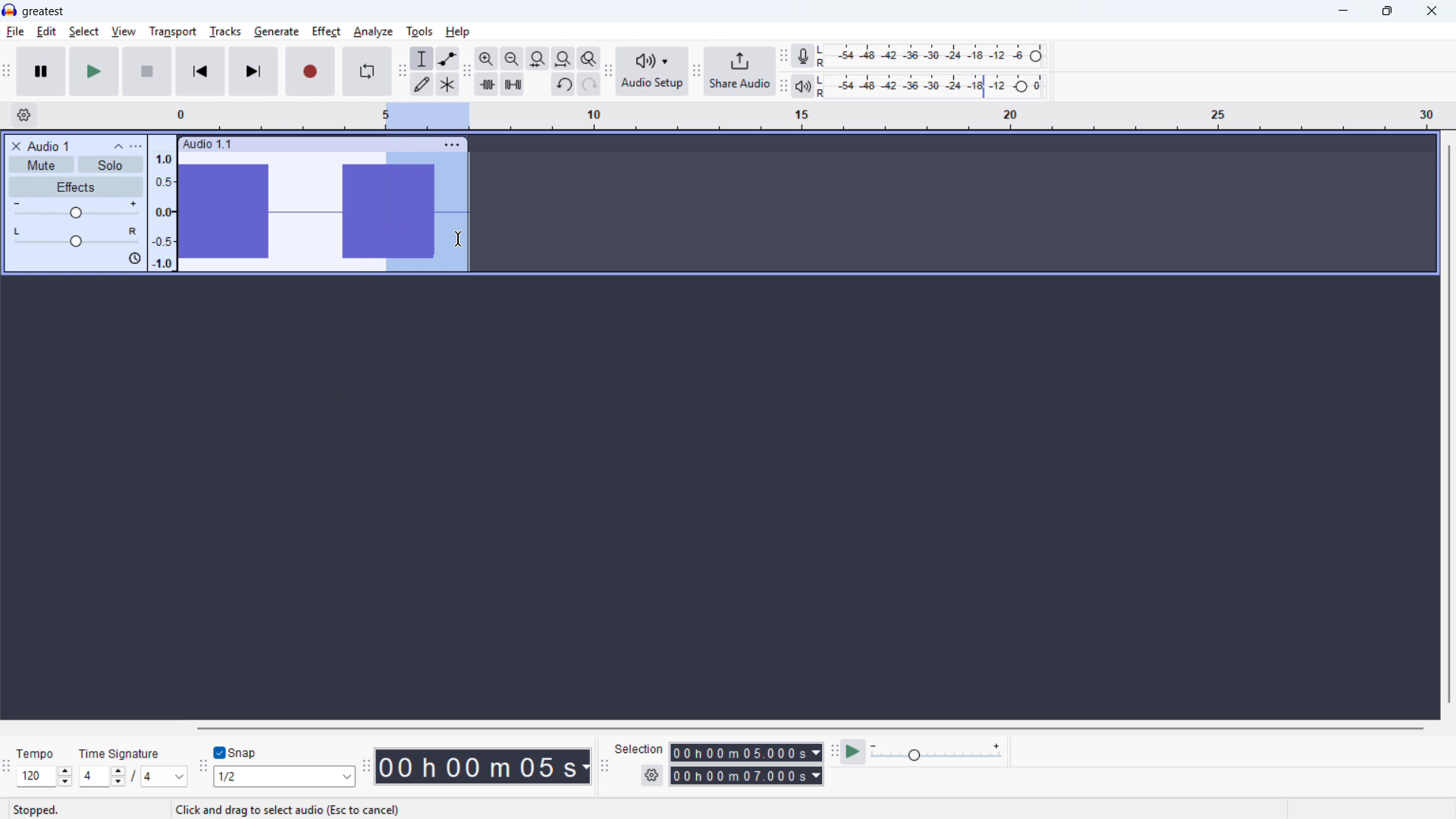 Image resolution: width=1456 pixels, height=819 pixels. What do you see at coordinates (853, 753) in the screenshot?
I see `Play at speed ` at bounding box center [853, 753].